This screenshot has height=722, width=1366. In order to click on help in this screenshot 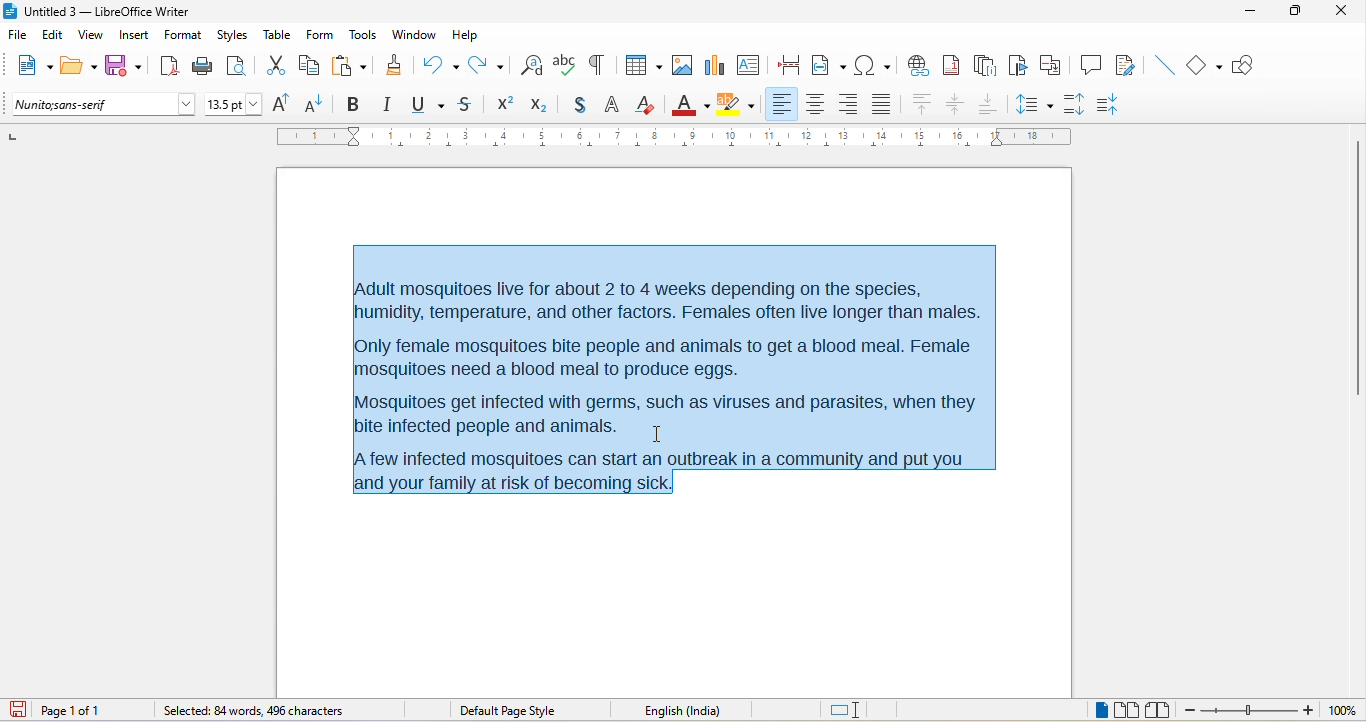, I will do `click(464, 34)`.